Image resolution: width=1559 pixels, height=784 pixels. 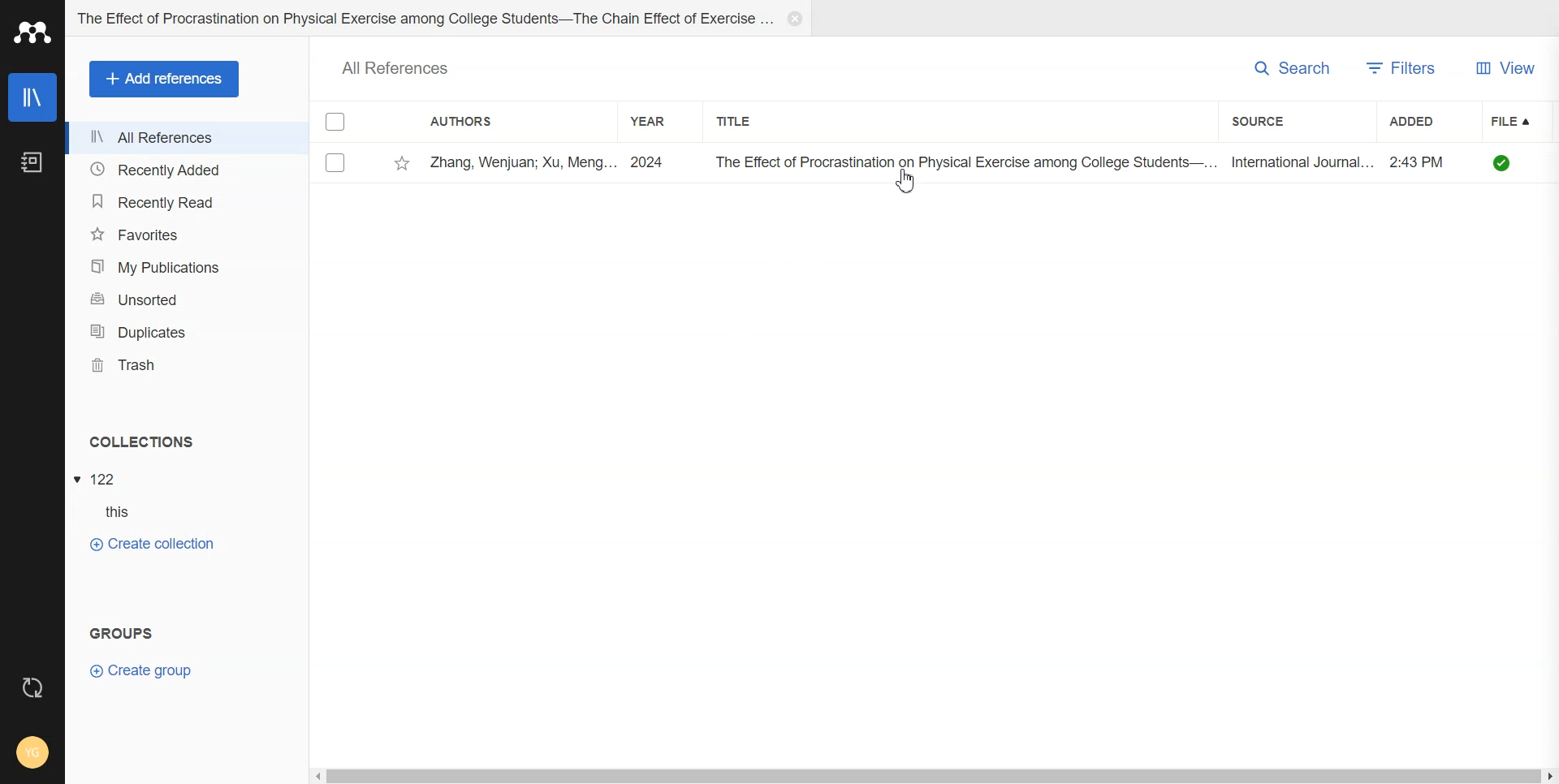 What do you see at coordinates (184, 170) in the screenshot?
I see `Recently Added` at bounding box center [184, 170].